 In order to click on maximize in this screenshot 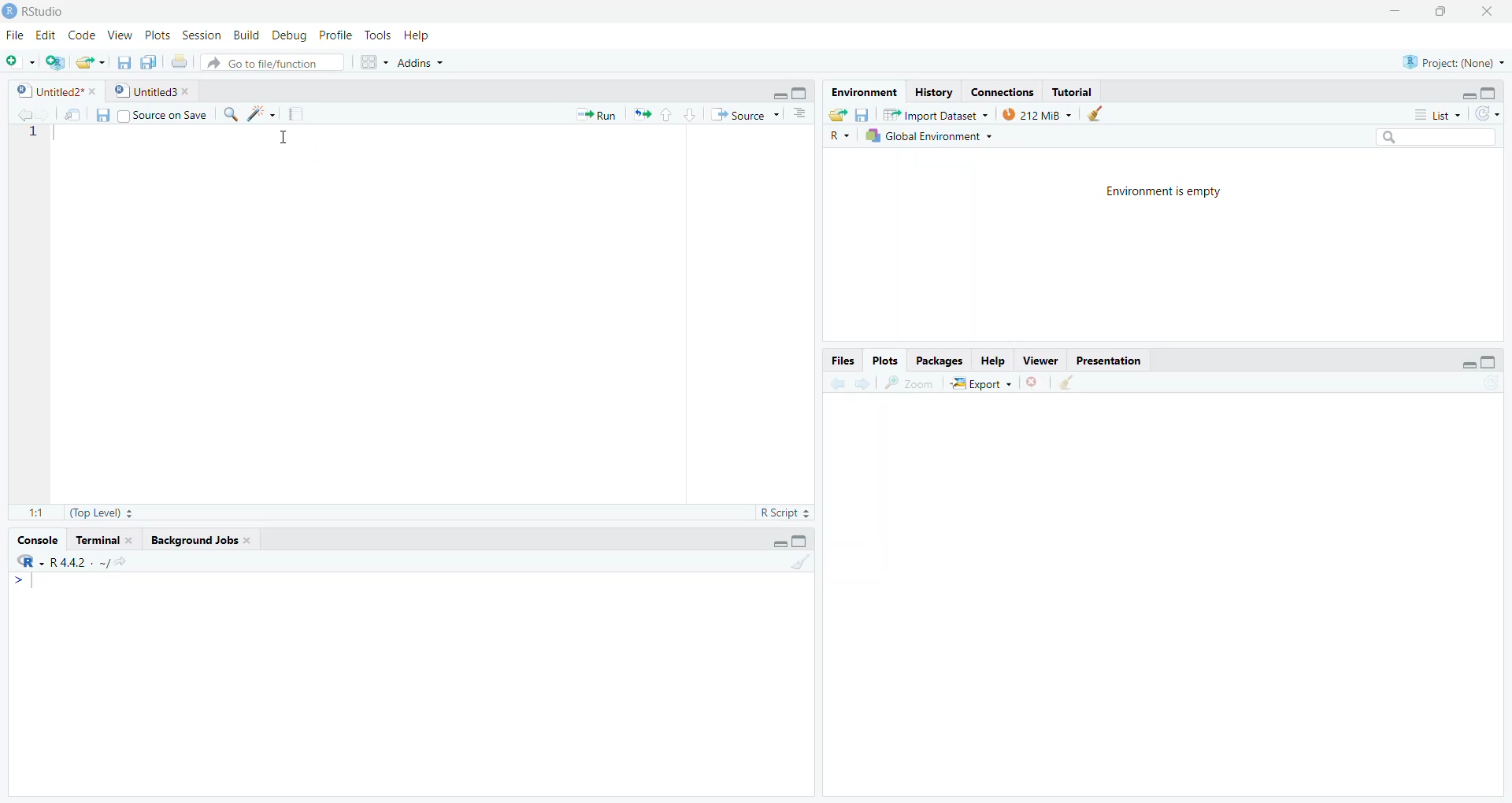, I will do `click(1441, 12)`.